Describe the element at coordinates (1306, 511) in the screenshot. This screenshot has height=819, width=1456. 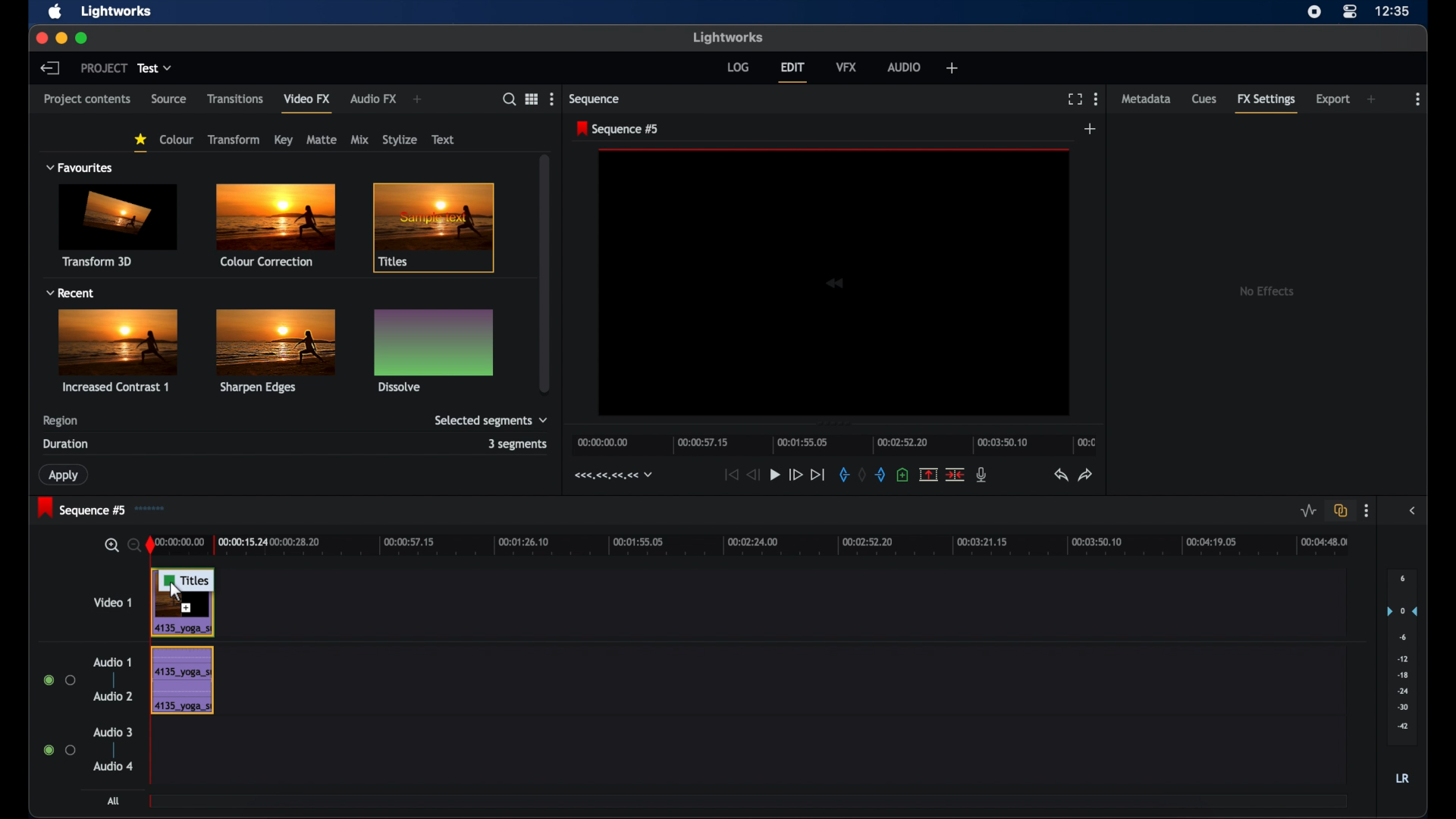
I see `toggle audio level editing` at that location.